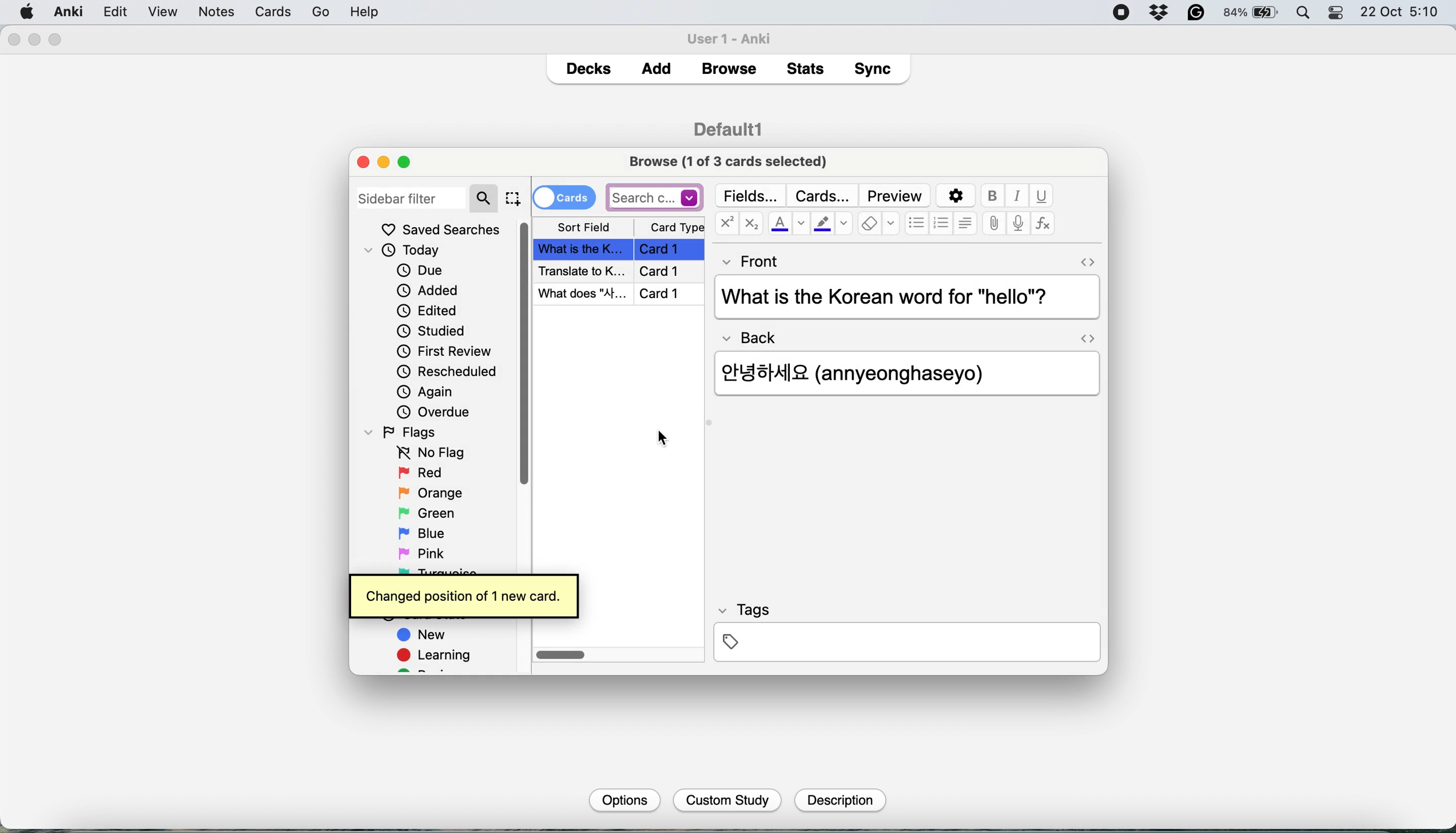  I want to click on function, so click(1043, 224).